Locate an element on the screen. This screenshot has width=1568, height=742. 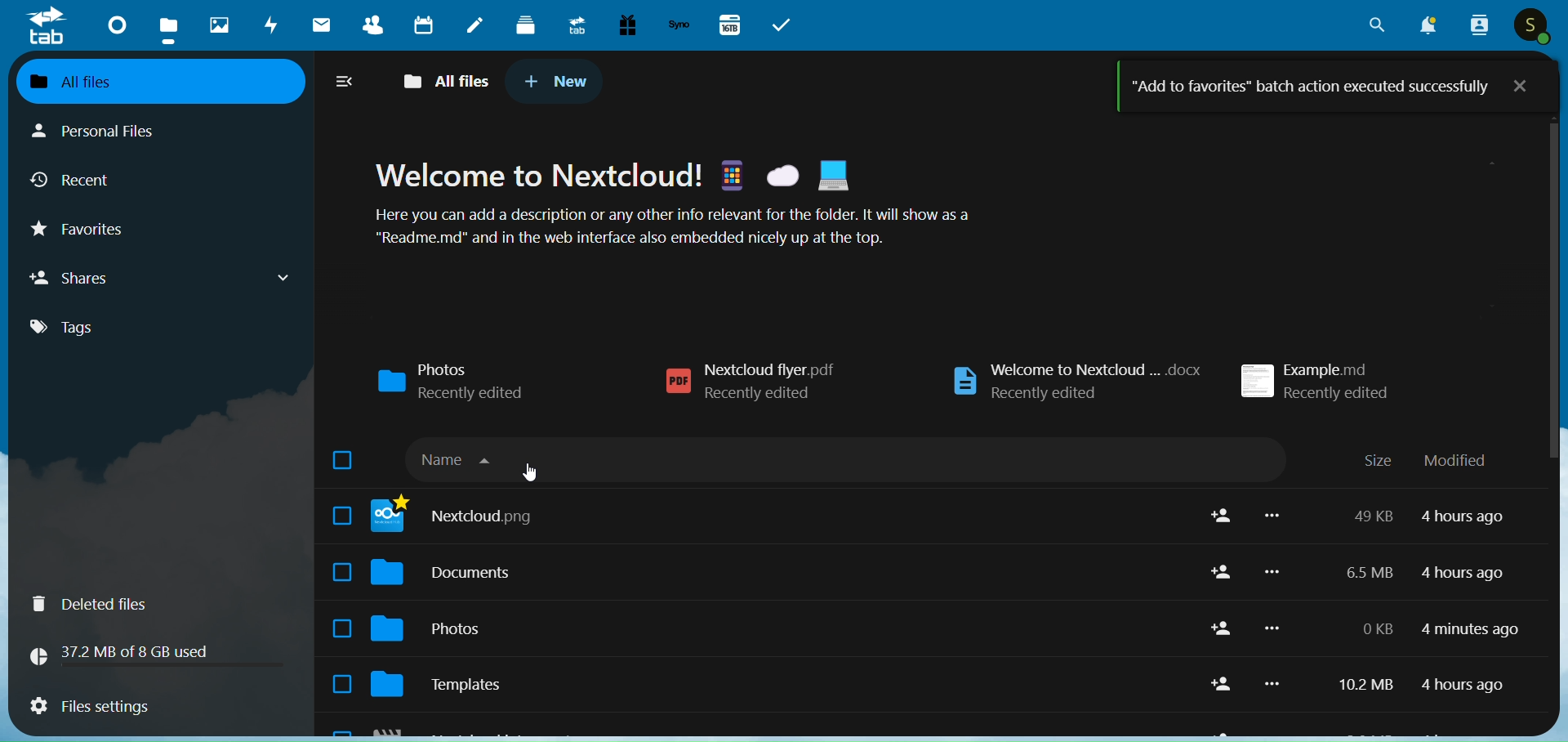
Add is located at coordinates (1223, 571).